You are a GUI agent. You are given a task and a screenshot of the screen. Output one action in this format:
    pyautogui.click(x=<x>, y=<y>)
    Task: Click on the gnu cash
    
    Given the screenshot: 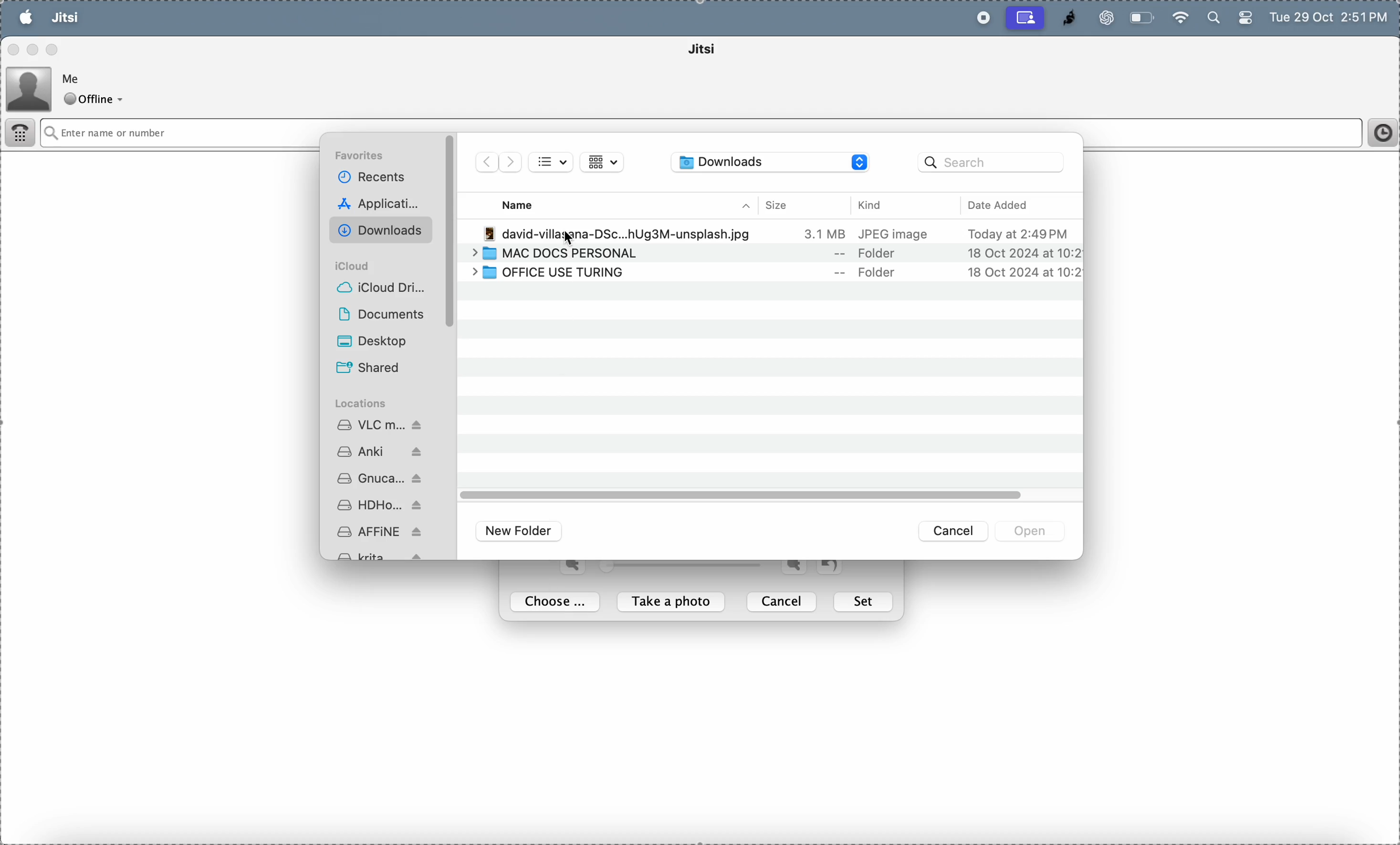 What is the action you would take?
    pyautogui.click(x=387, y=479)
    